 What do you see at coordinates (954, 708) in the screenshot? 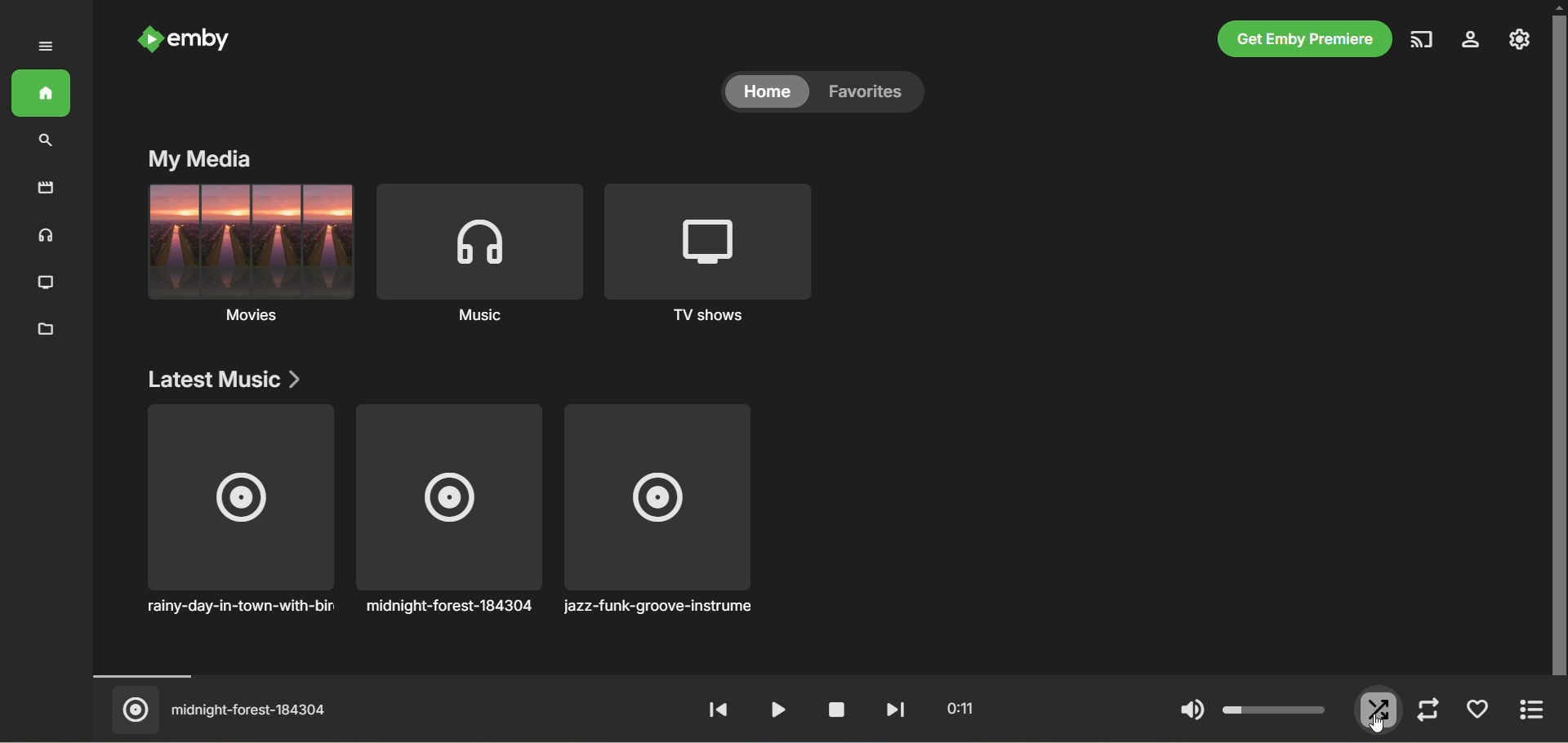
I see `0:11` at bounding box center [954, 708].